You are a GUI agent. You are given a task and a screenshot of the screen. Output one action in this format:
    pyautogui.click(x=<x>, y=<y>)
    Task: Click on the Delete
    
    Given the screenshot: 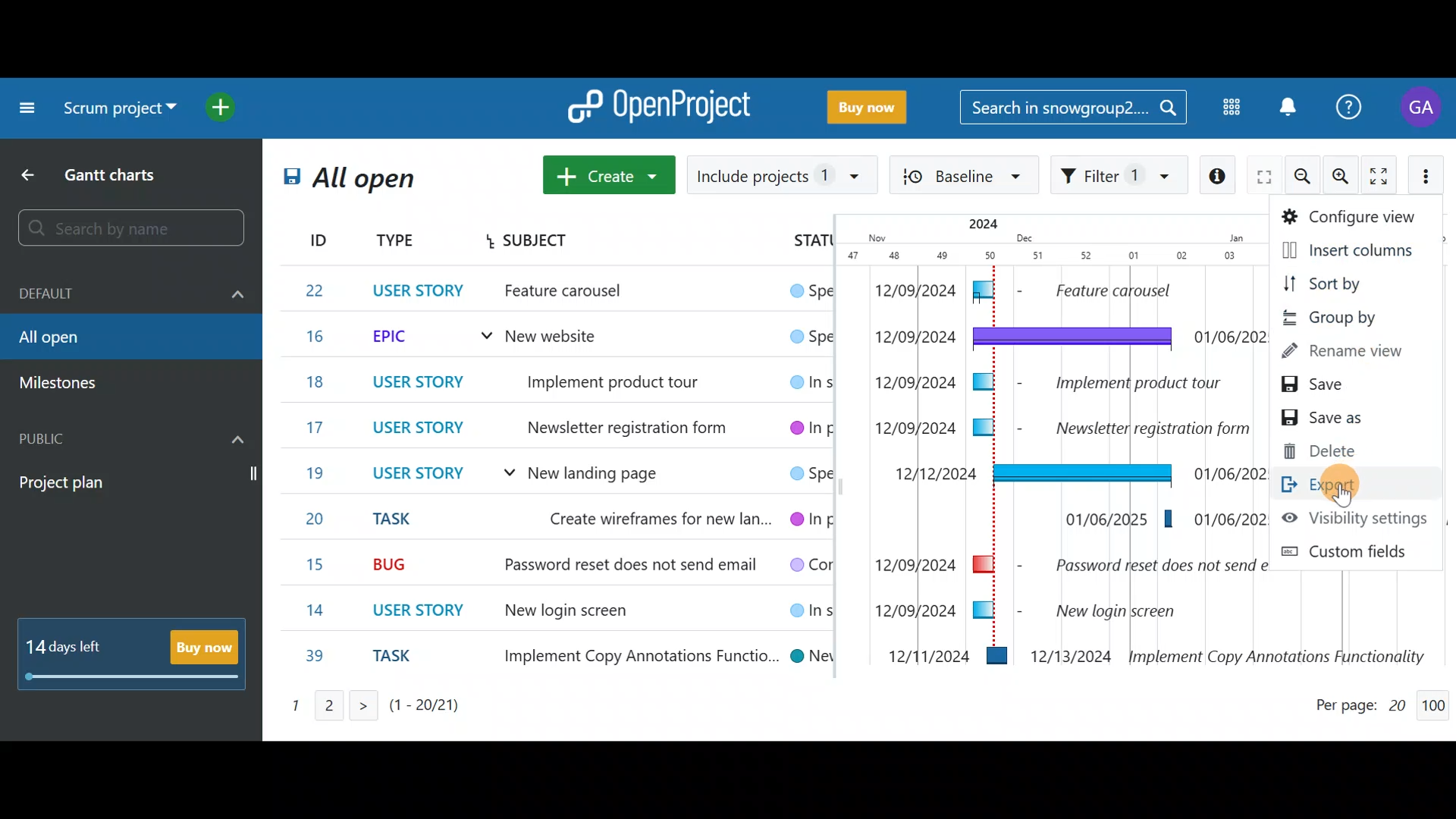 What is the action you would take?
    pyautogui.click(x=1333, y=450)
    